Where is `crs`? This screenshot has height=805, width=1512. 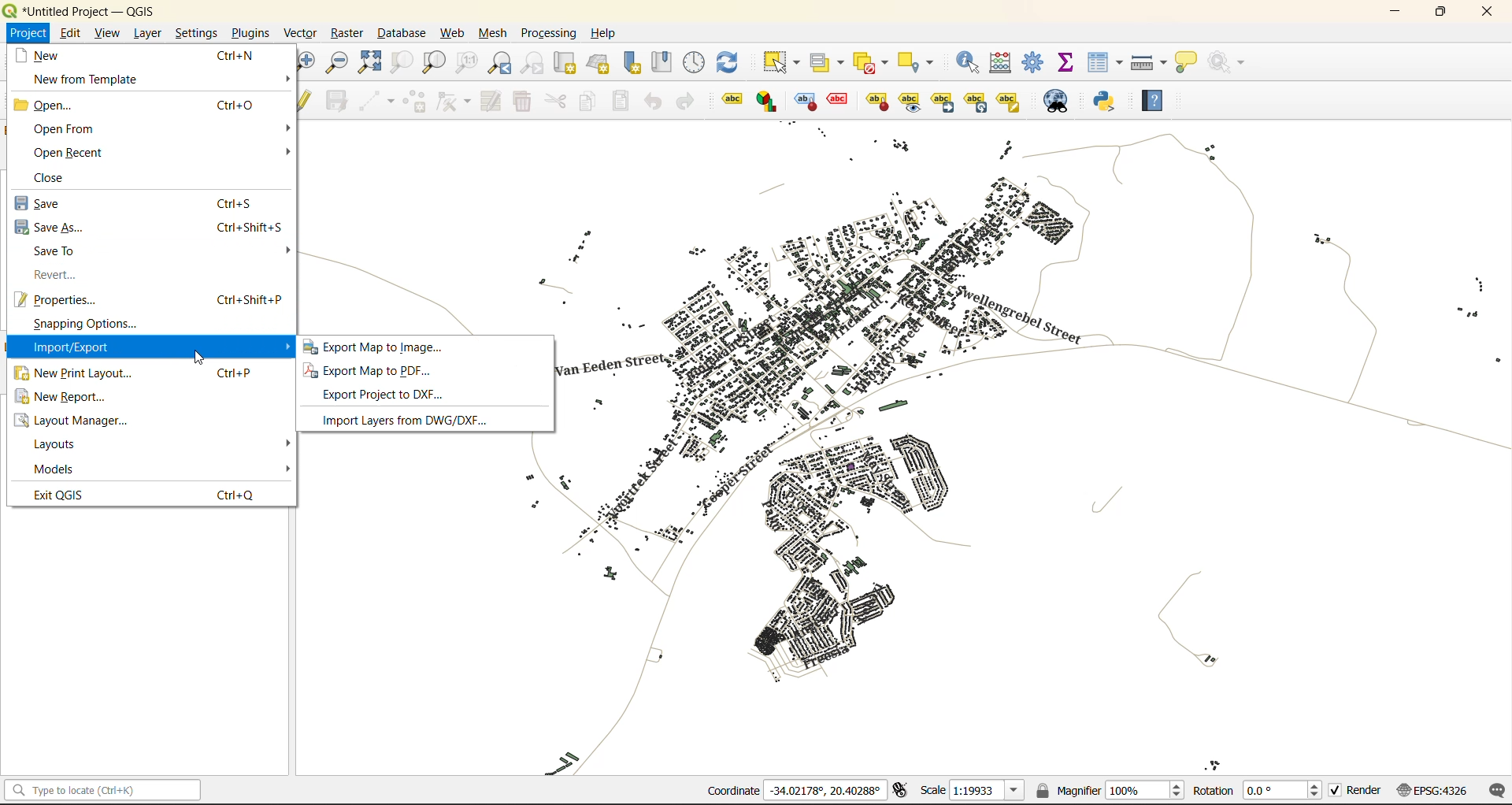 crs is located at coordinates (1428, 788).